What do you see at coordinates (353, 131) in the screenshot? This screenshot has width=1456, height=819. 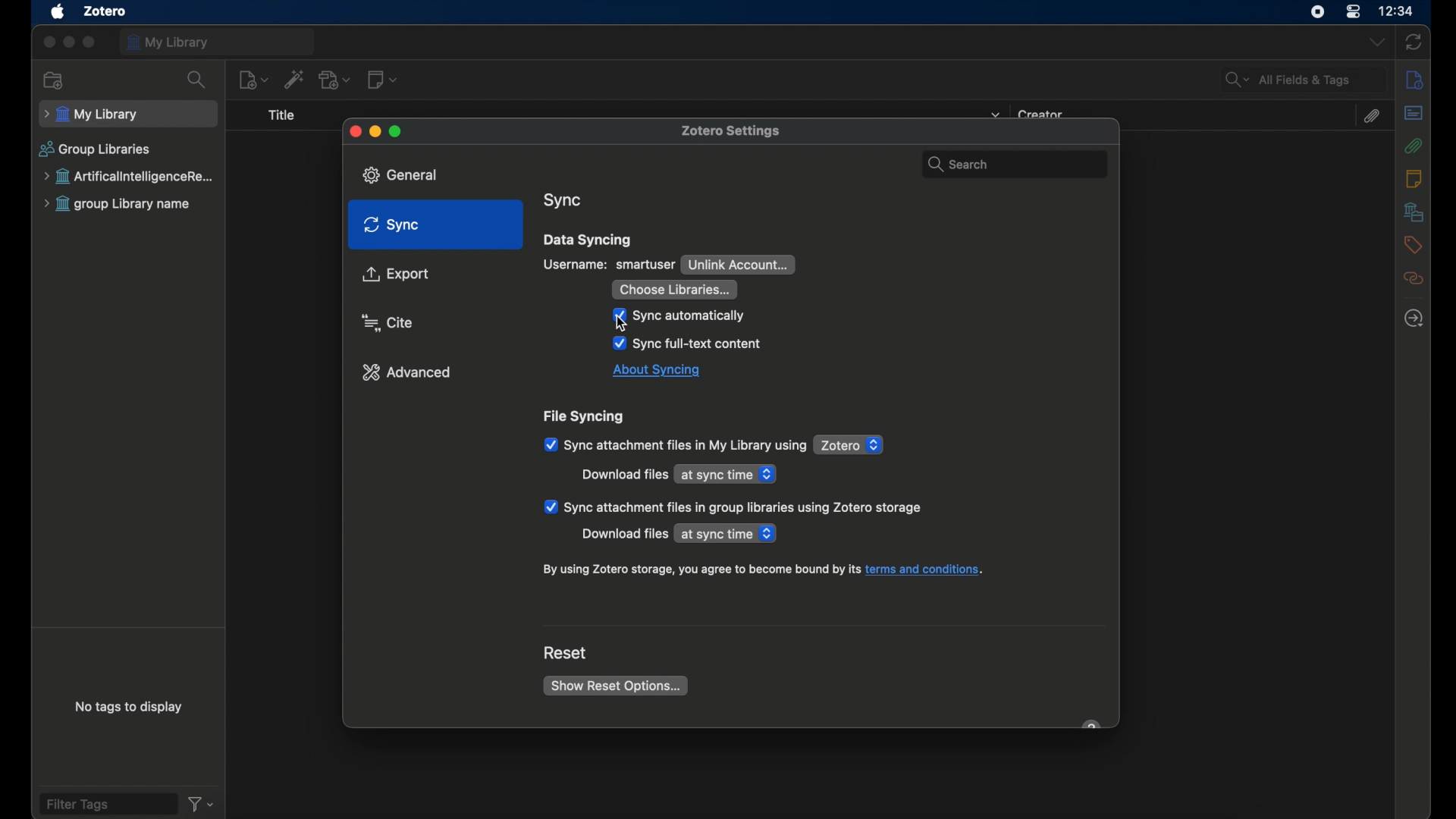 I see `close` at bounding box center [353, 131].